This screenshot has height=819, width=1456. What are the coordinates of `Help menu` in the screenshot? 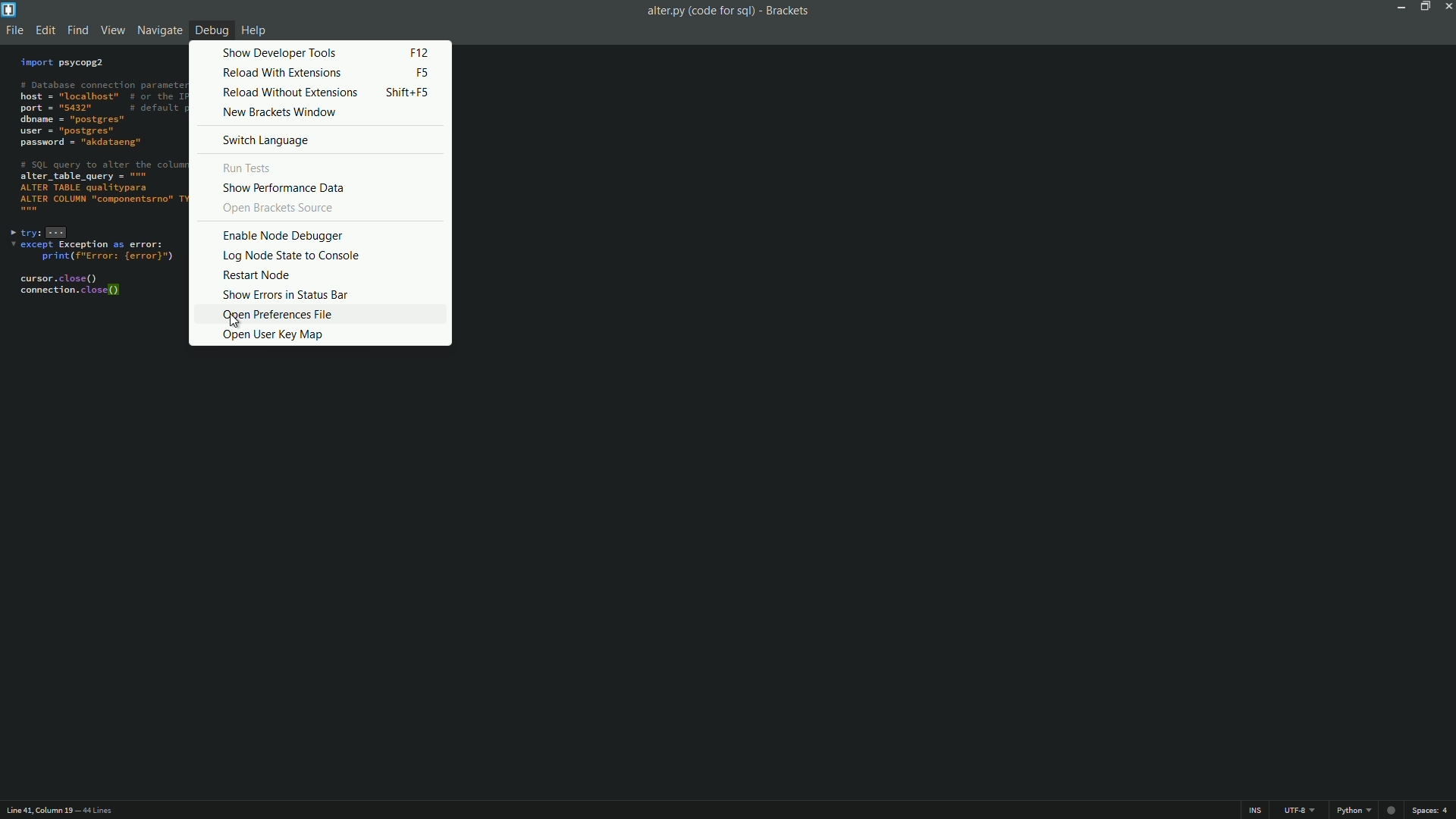 It's located at (256, 30).